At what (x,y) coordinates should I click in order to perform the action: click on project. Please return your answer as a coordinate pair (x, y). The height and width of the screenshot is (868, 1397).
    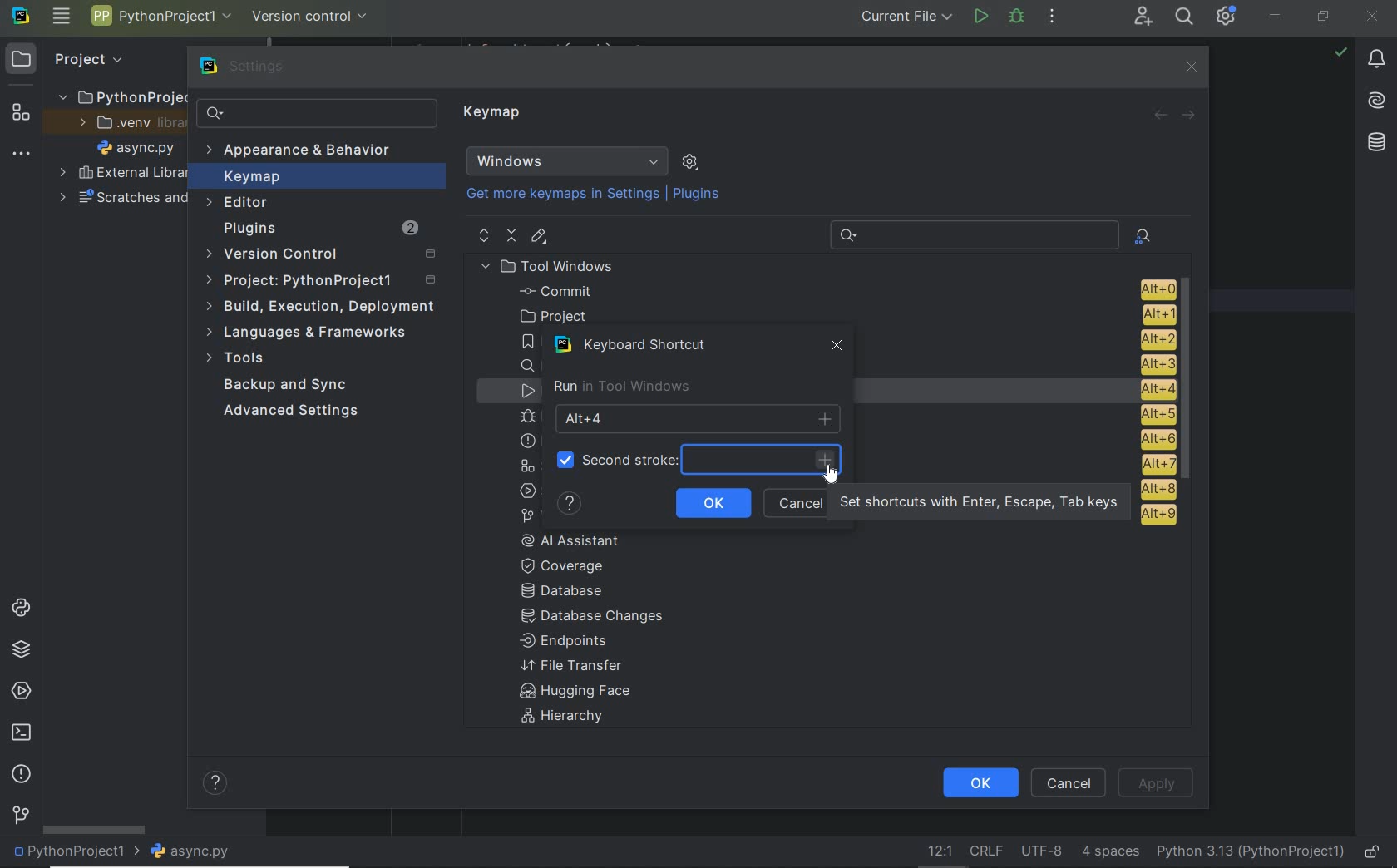
    Looking at the image, I should click on (842, 315).